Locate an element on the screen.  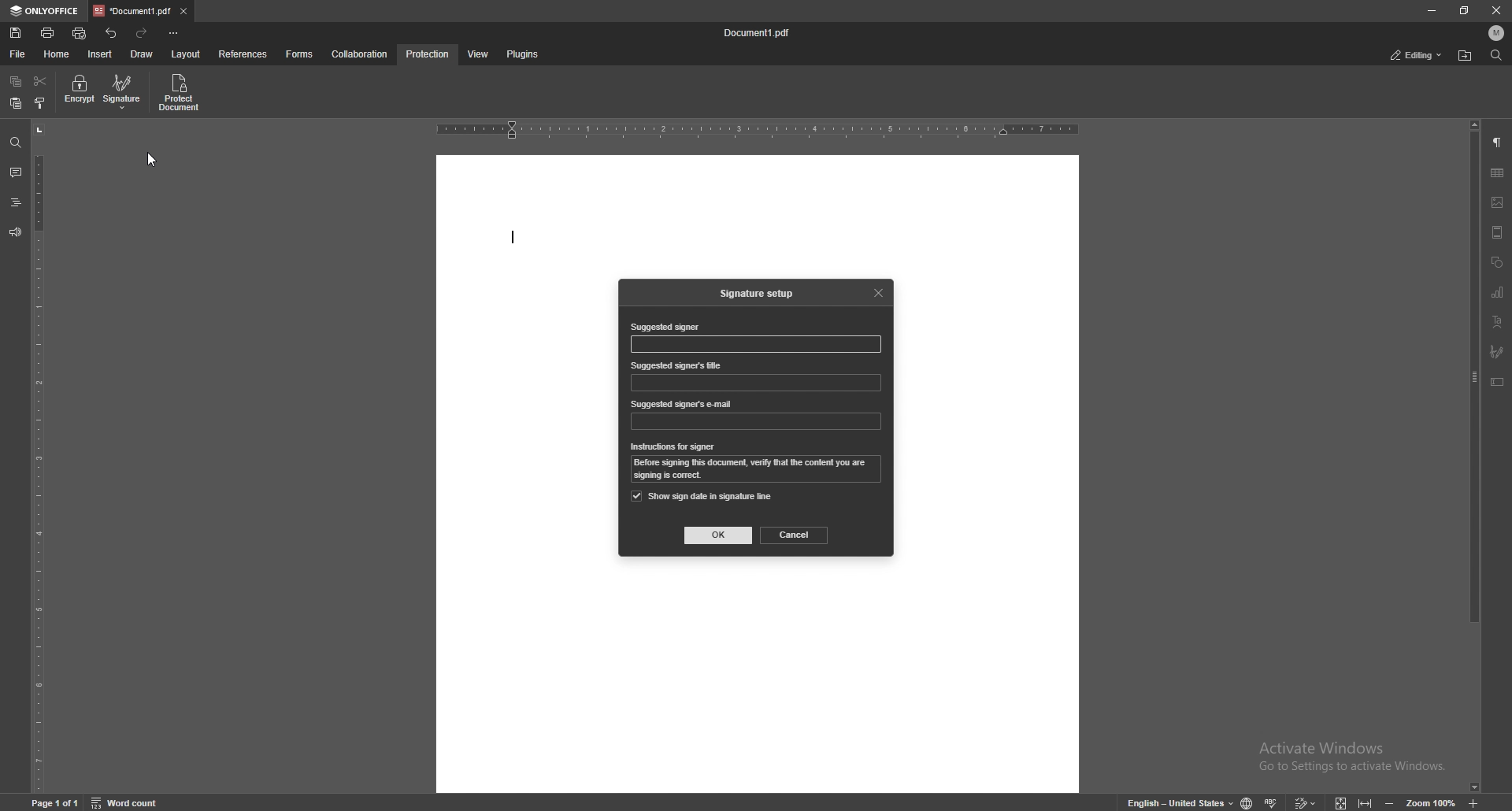
undo is located at coordinates (113, 33).